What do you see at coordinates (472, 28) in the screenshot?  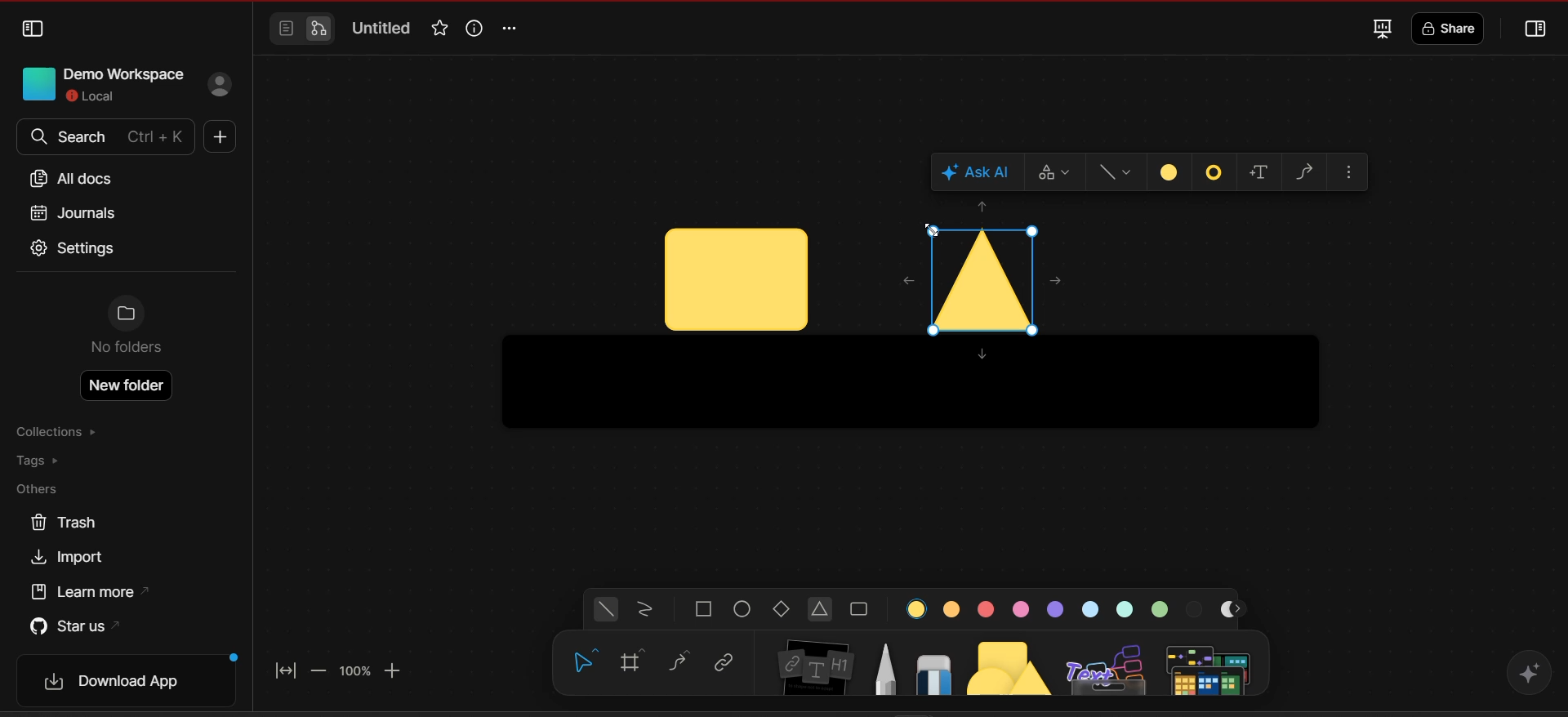 I see `view info` at bounding box center [472, 28].